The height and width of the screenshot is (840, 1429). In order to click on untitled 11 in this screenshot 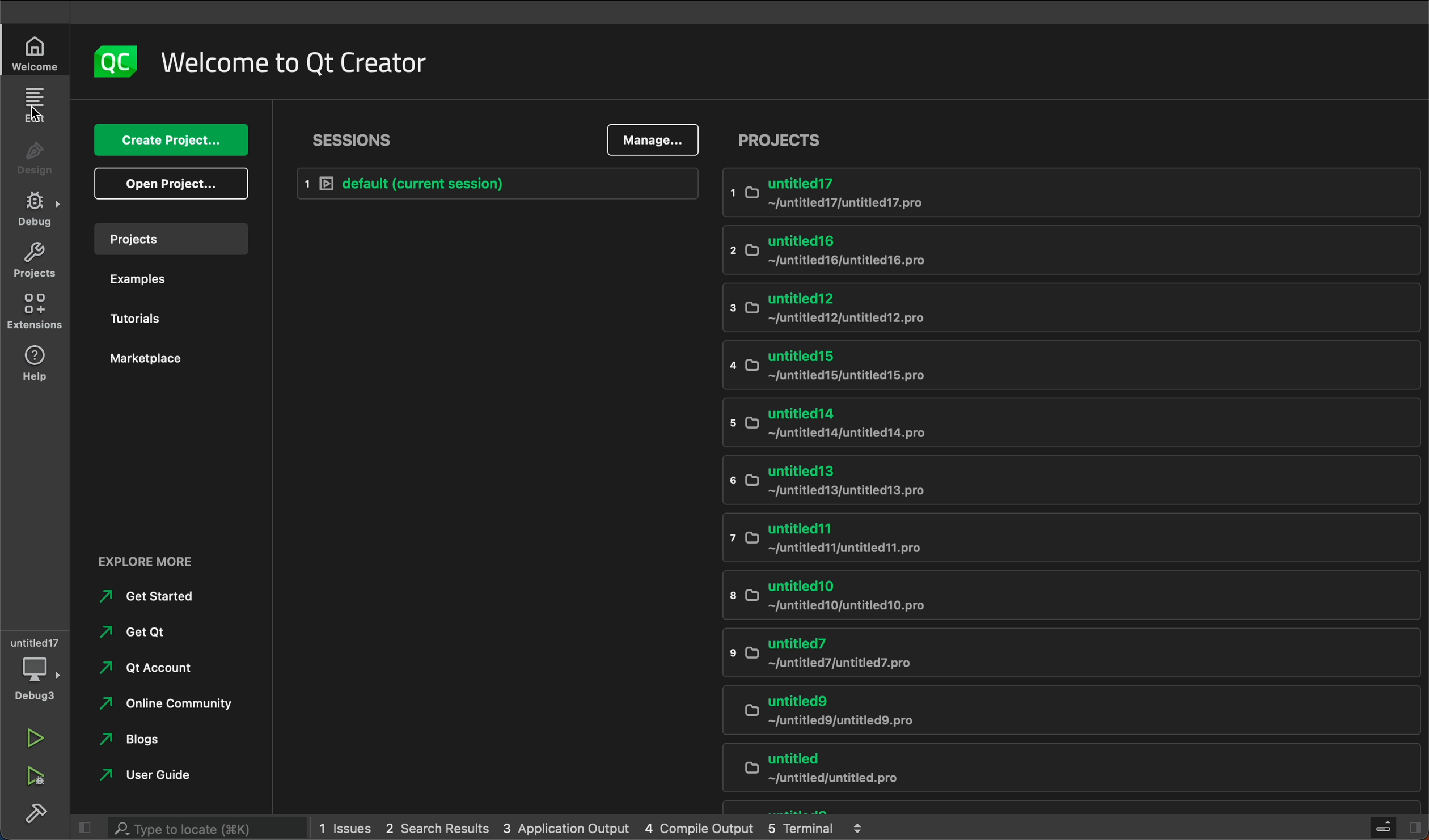, I will do `click(1049, 537)`.